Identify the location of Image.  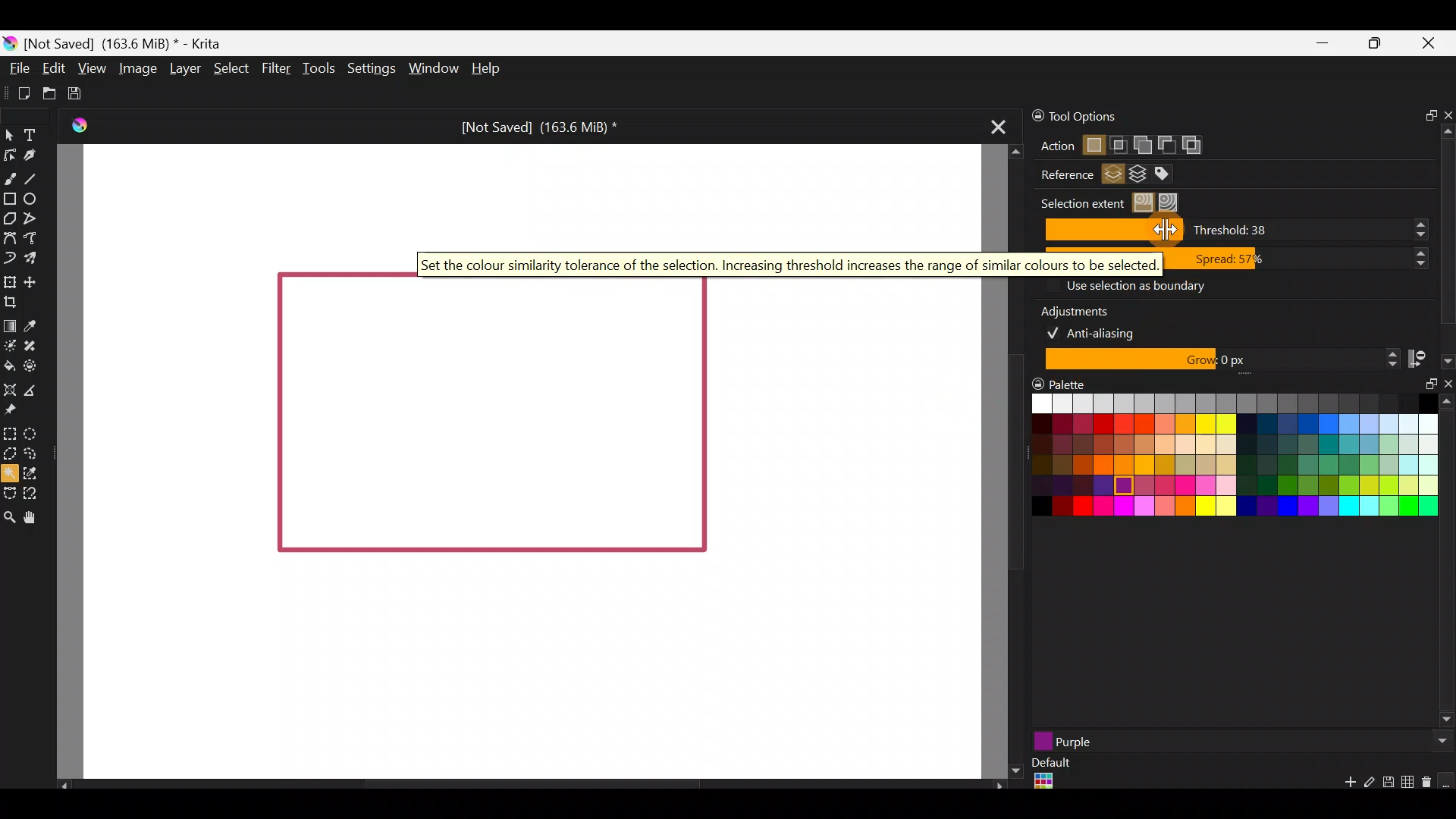
(138, 70).